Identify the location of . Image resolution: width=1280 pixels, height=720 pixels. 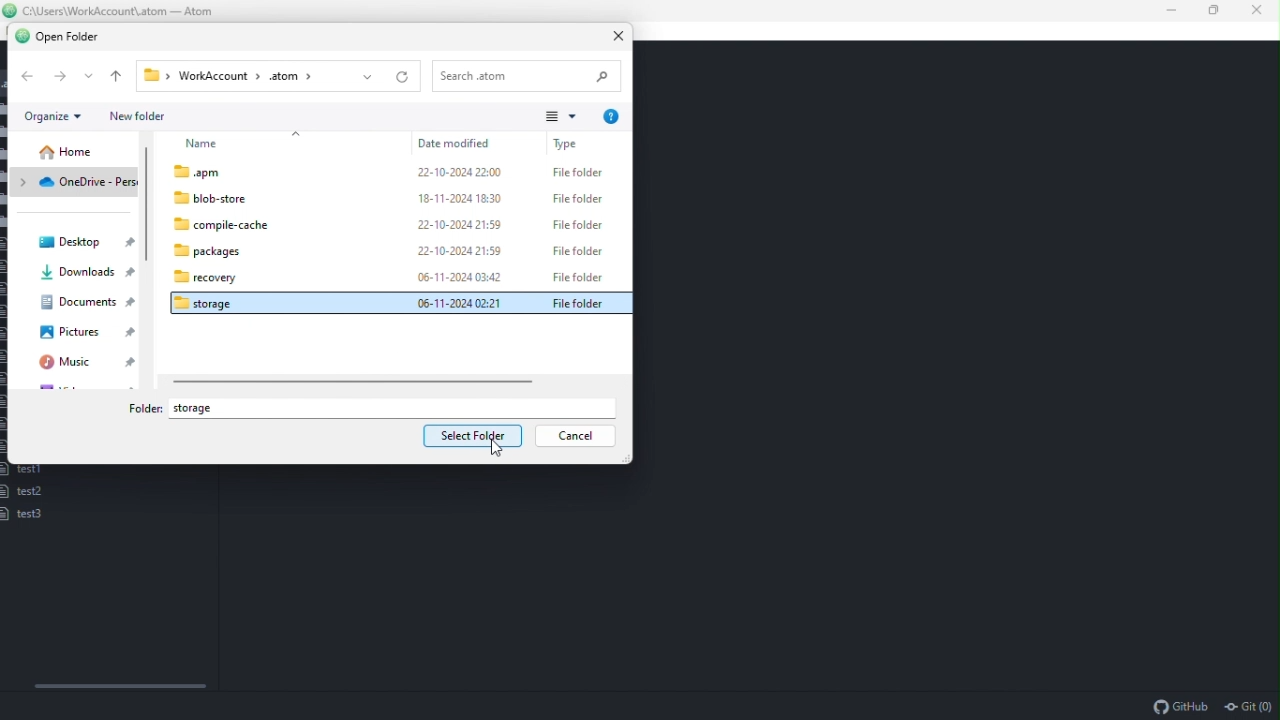
(23, 76).